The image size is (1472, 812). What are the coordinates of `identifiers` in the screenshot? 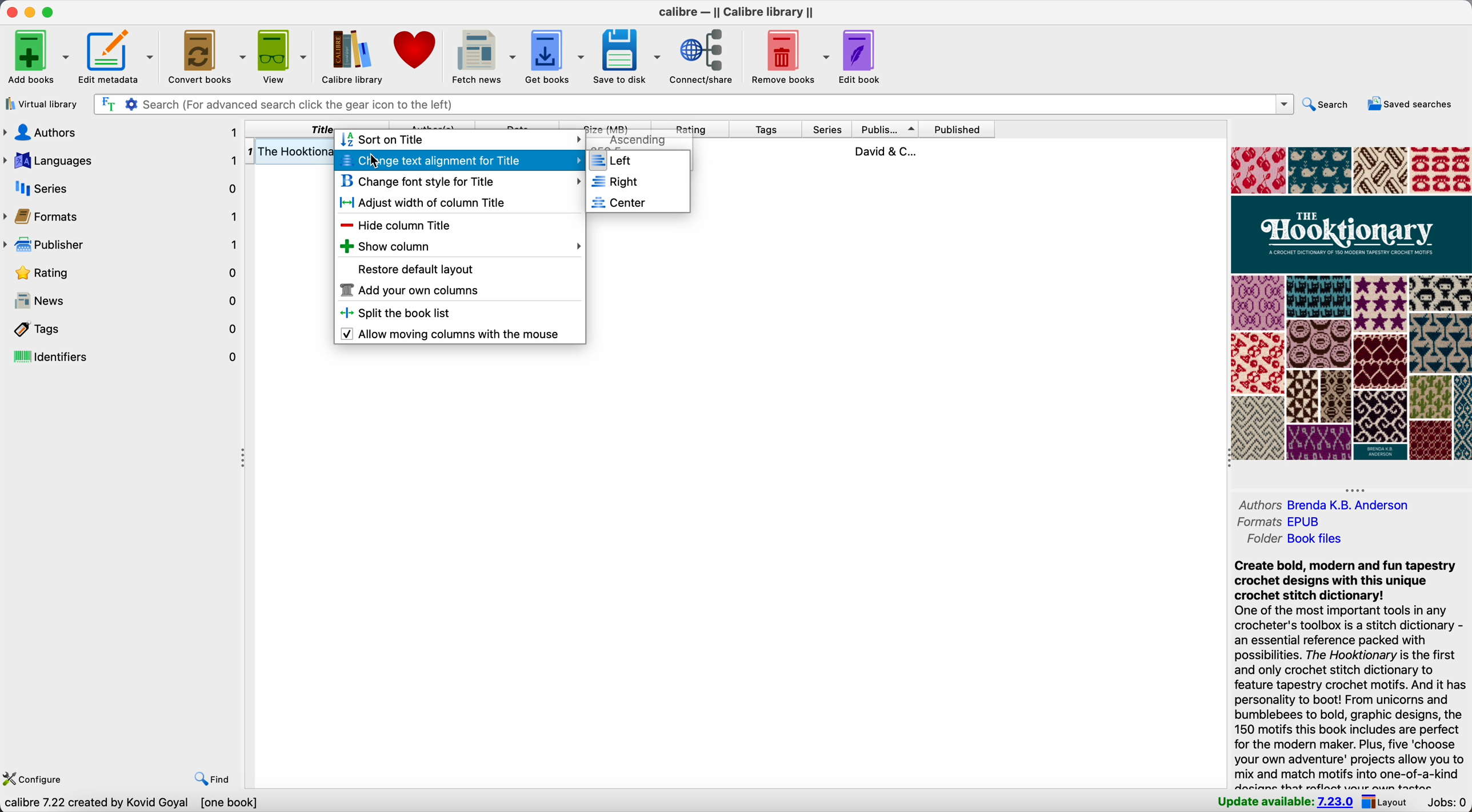 It's located at (125, 357).